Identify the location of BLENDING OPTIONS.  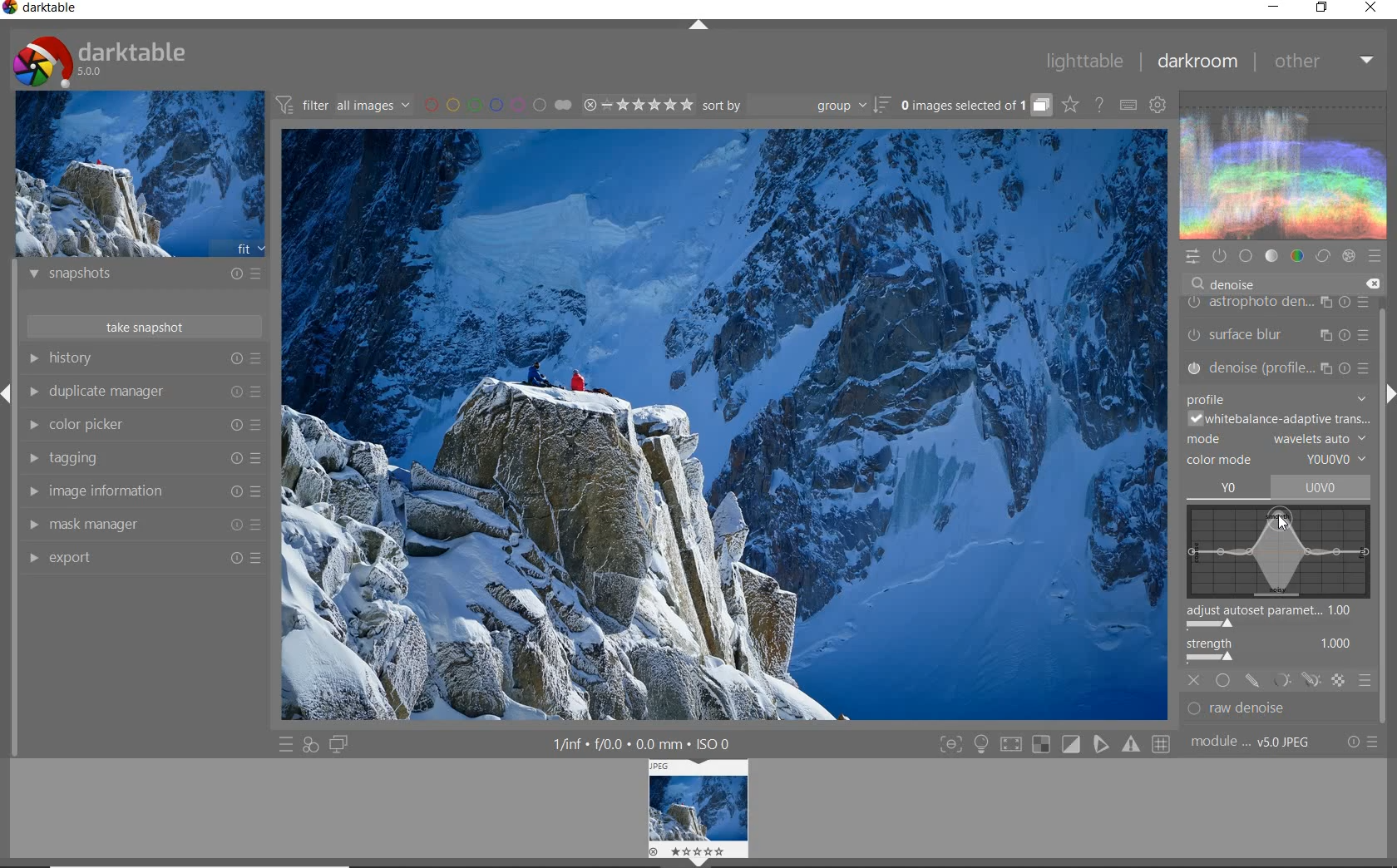
(1365, 681).